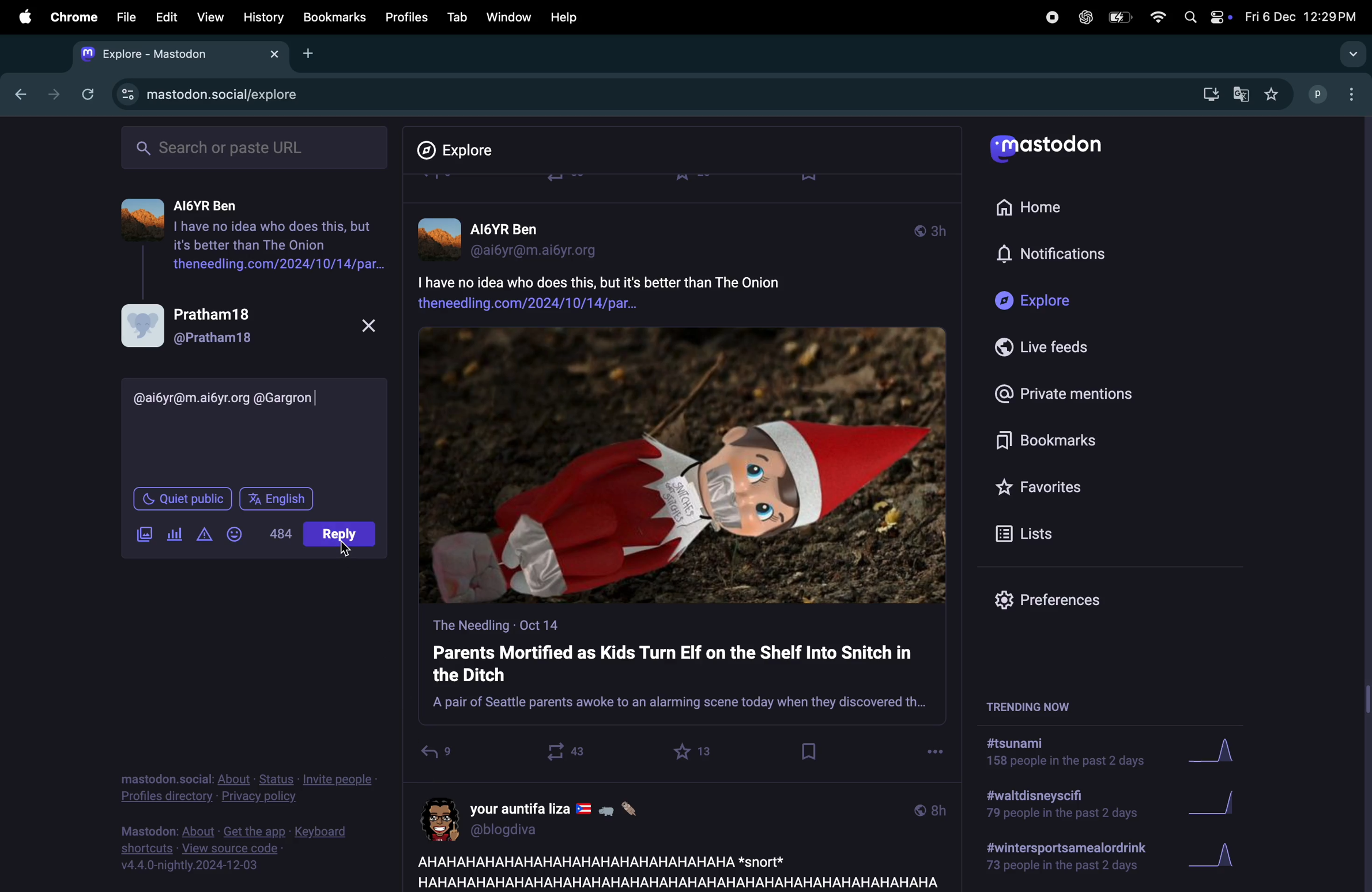 This screenshot has width=1372, height=892. Describe the element at coordinates (402, 17) in the screenshot. I see `profiles` at that location.